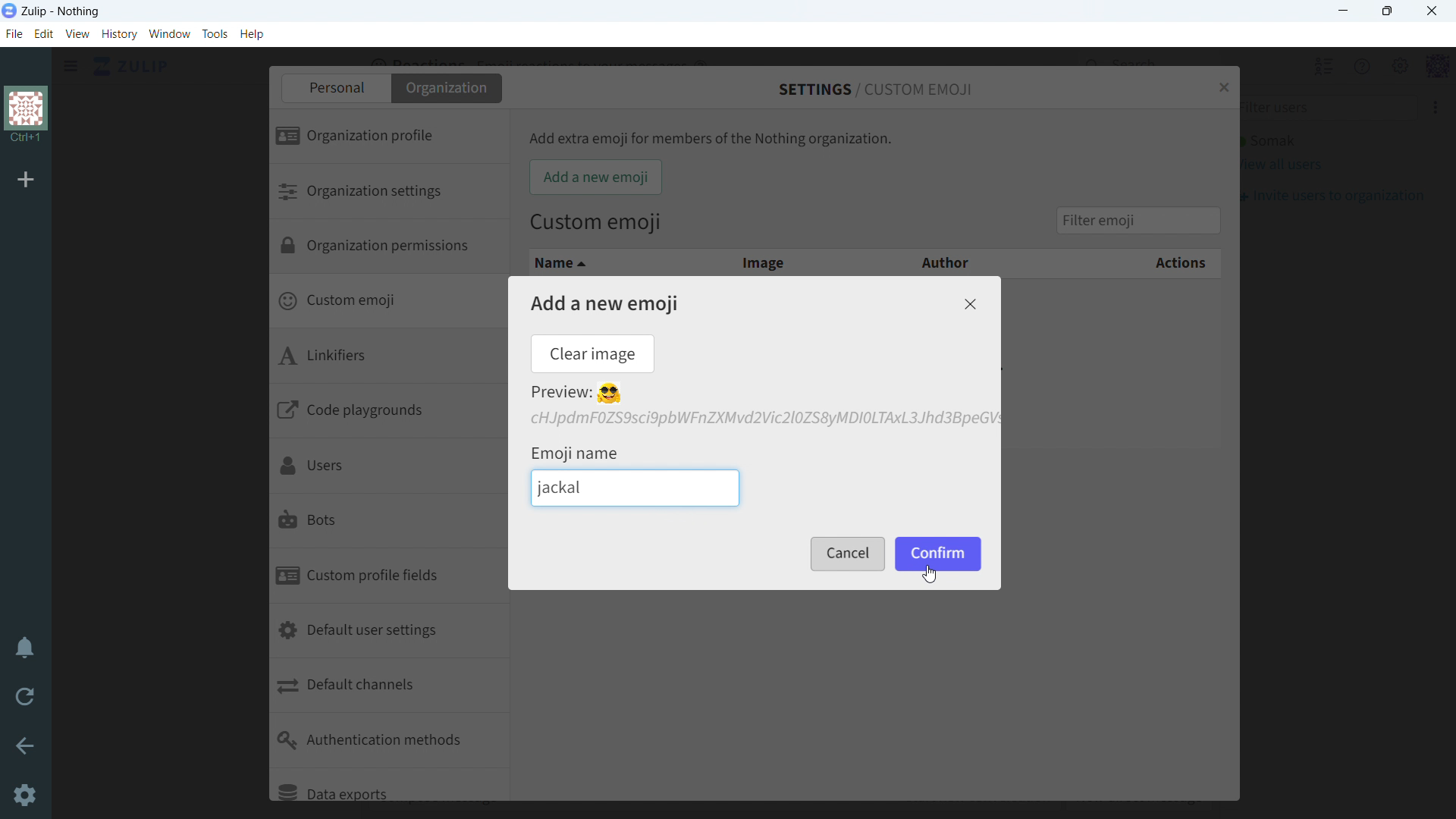  I want to click on go back, so click(24, 745).